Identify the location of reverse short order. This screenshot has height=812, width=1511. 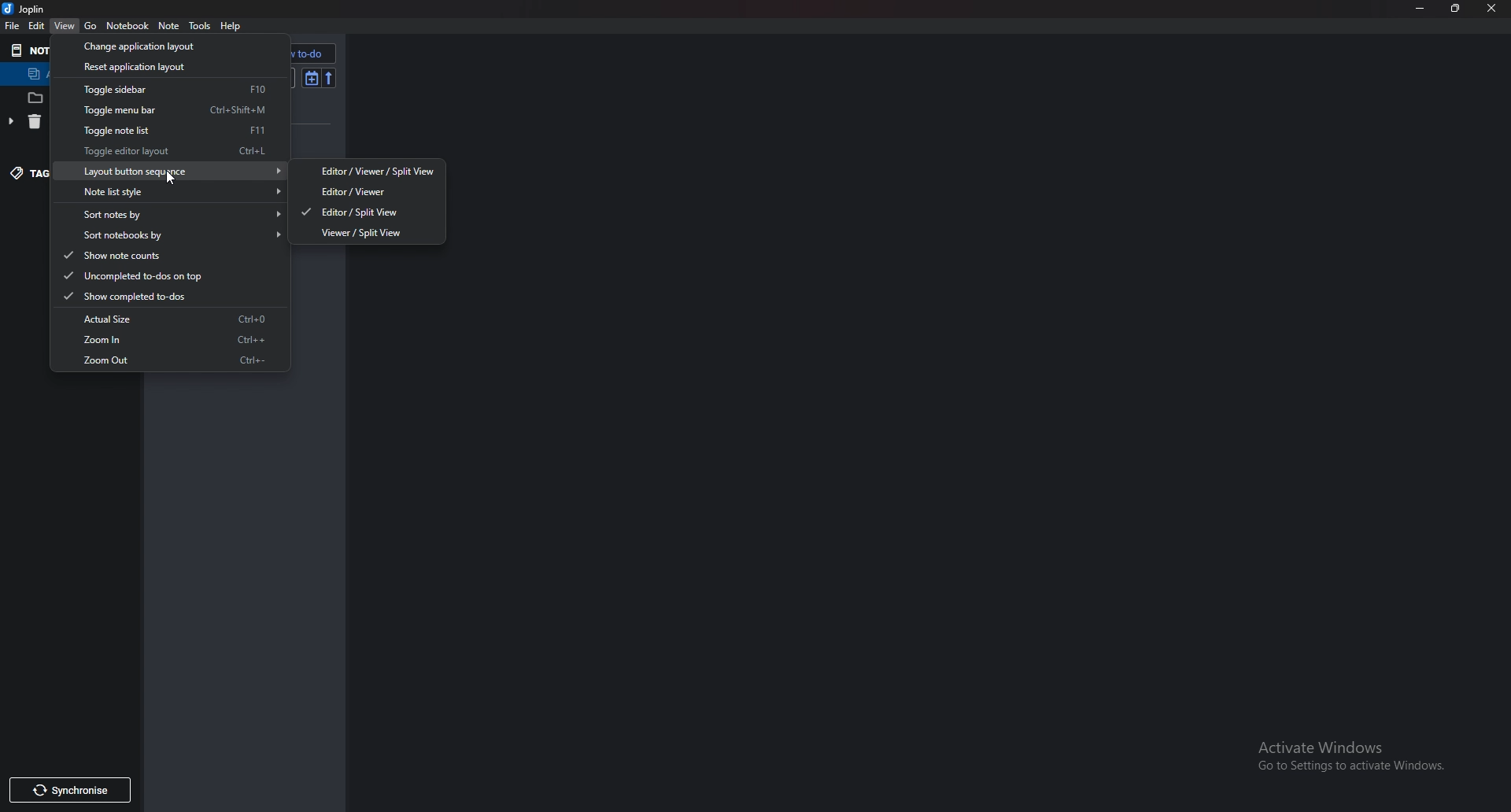
(330, 79).